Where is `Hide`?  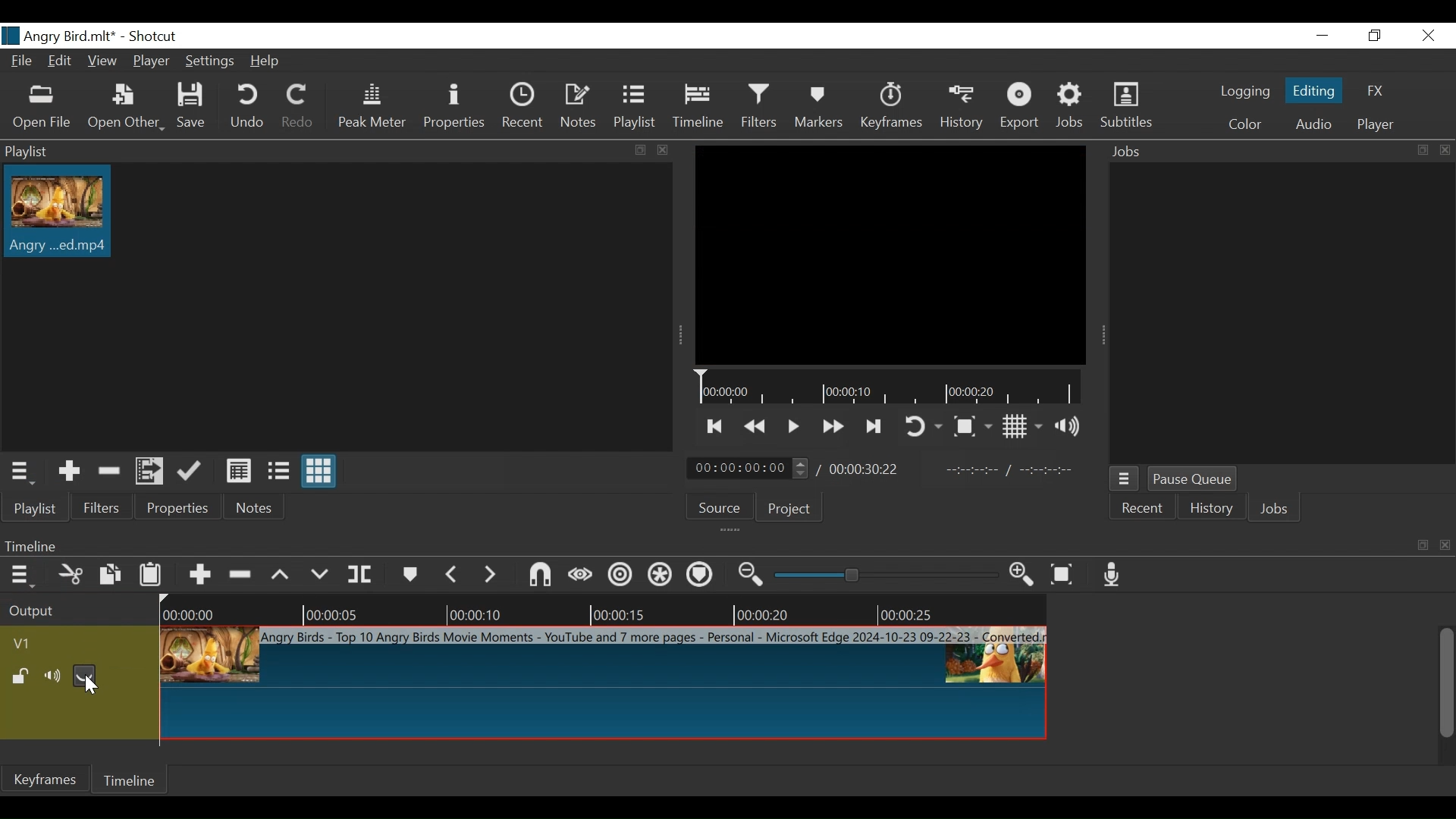 Hide is located at coordinates (84, 675).